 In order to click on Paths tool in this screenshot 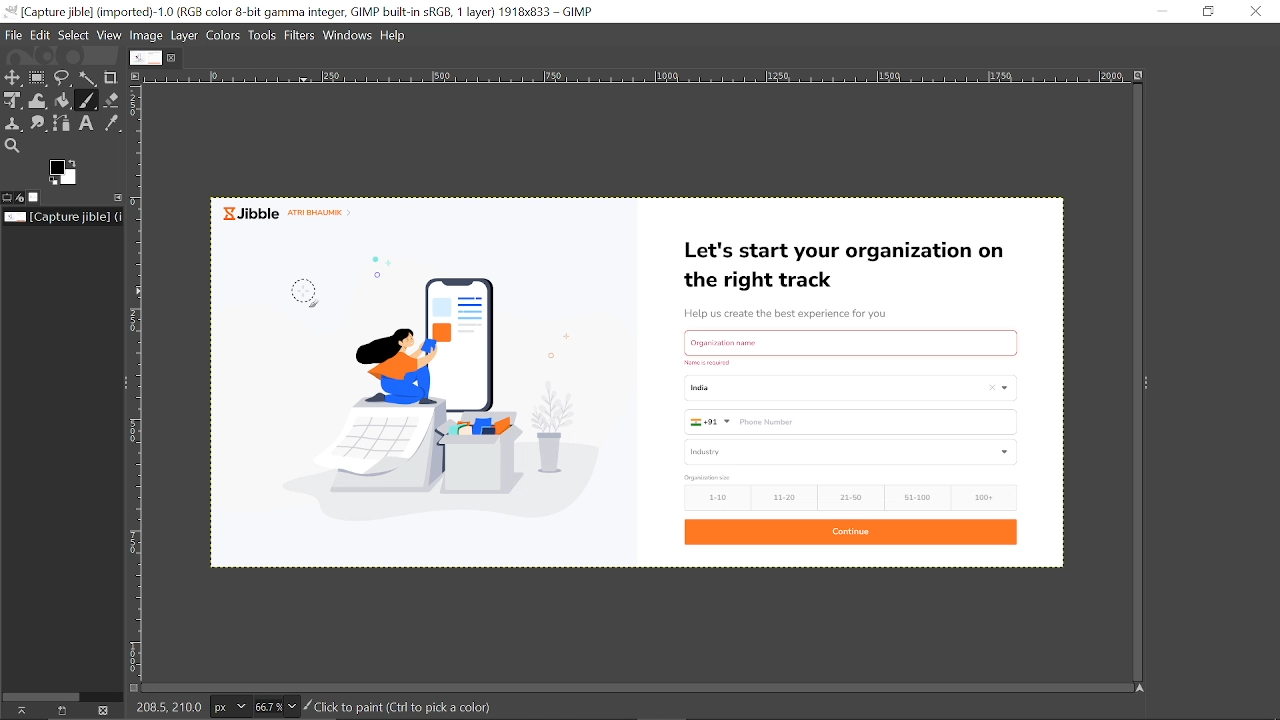, I will do `click(64, 124)`.